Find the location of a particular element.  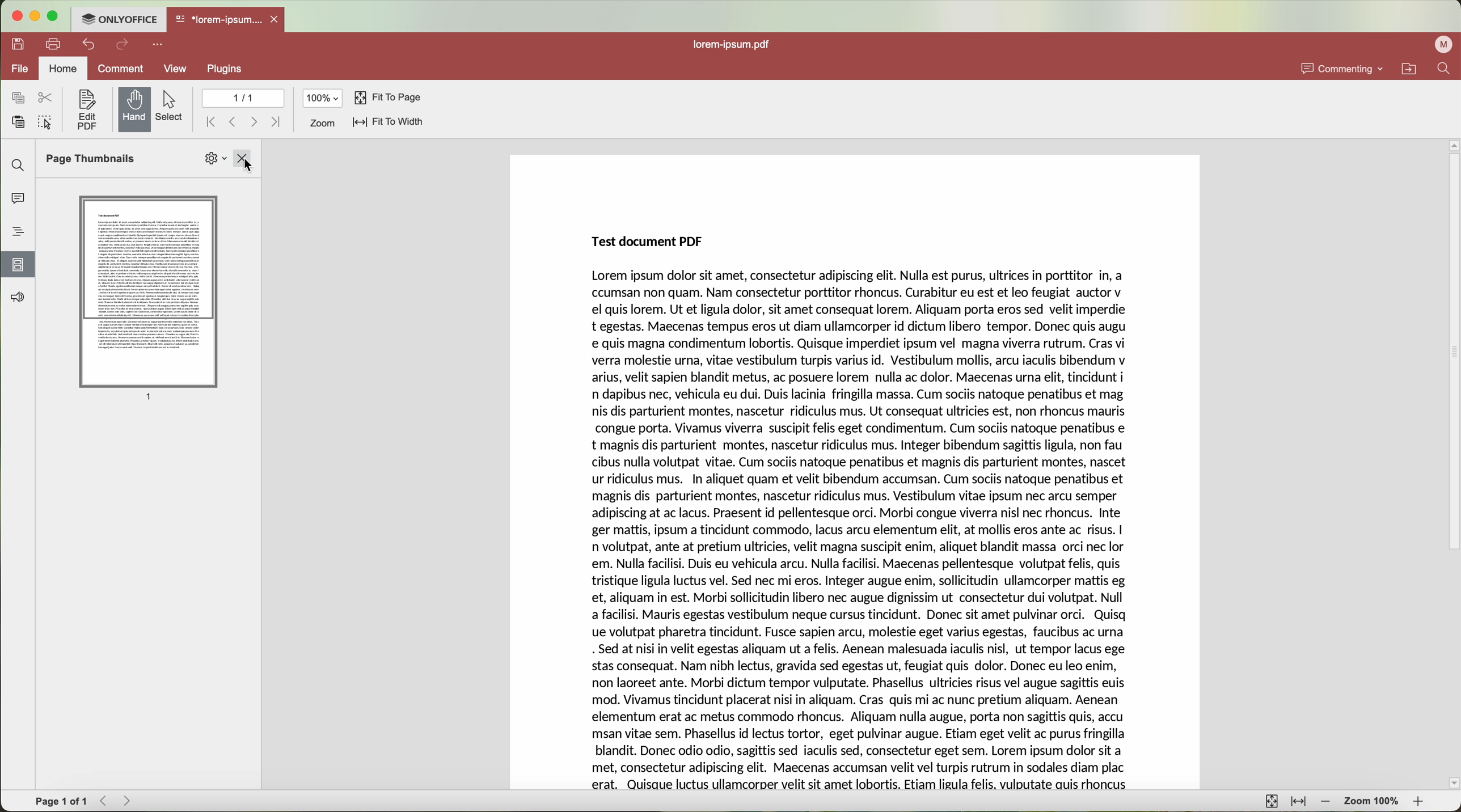

comment is located at coordinates (123, 69).